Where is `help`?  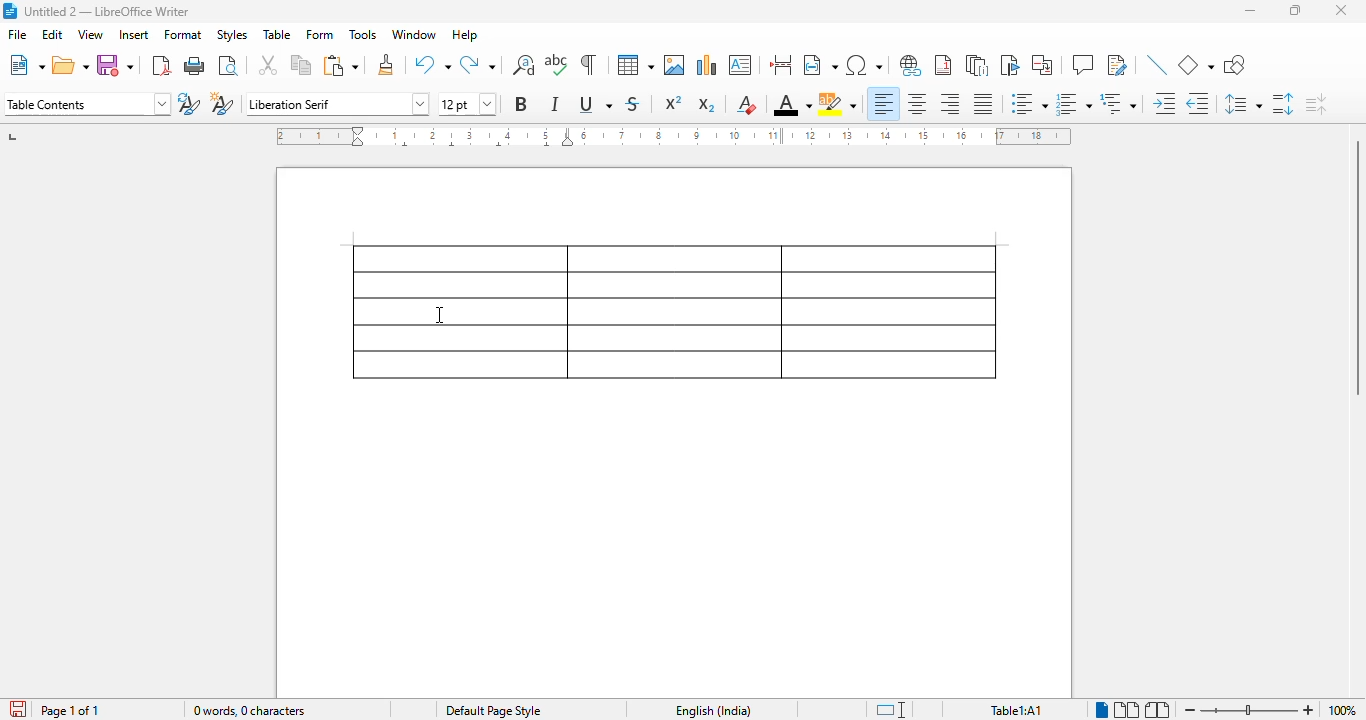 help is located at coordinates (464, 35).